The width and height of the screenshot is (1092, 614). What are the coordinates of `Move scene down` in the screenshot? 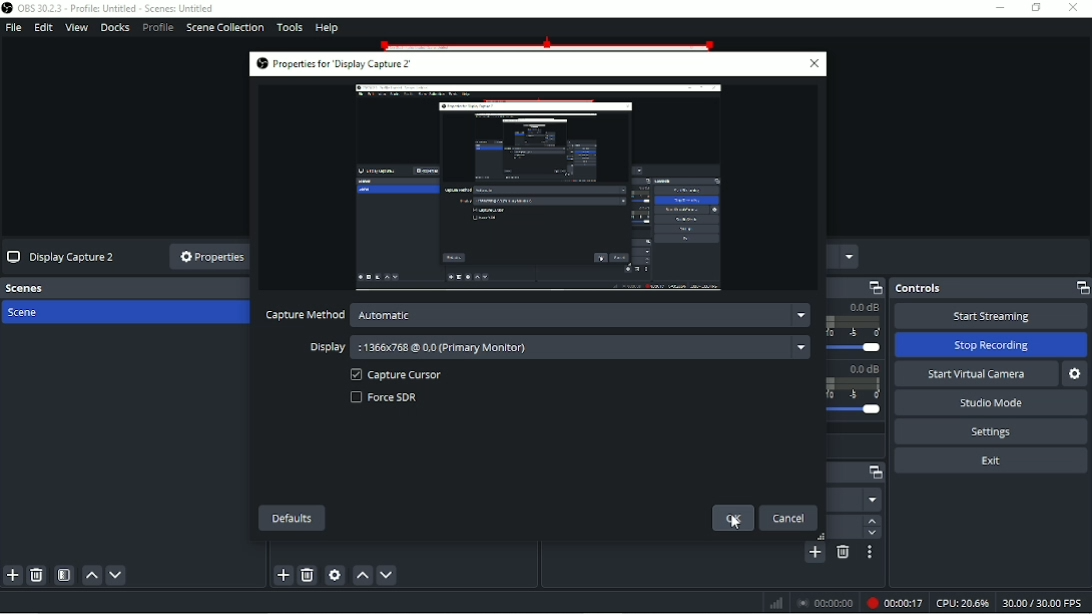 It's located at (117, 574).